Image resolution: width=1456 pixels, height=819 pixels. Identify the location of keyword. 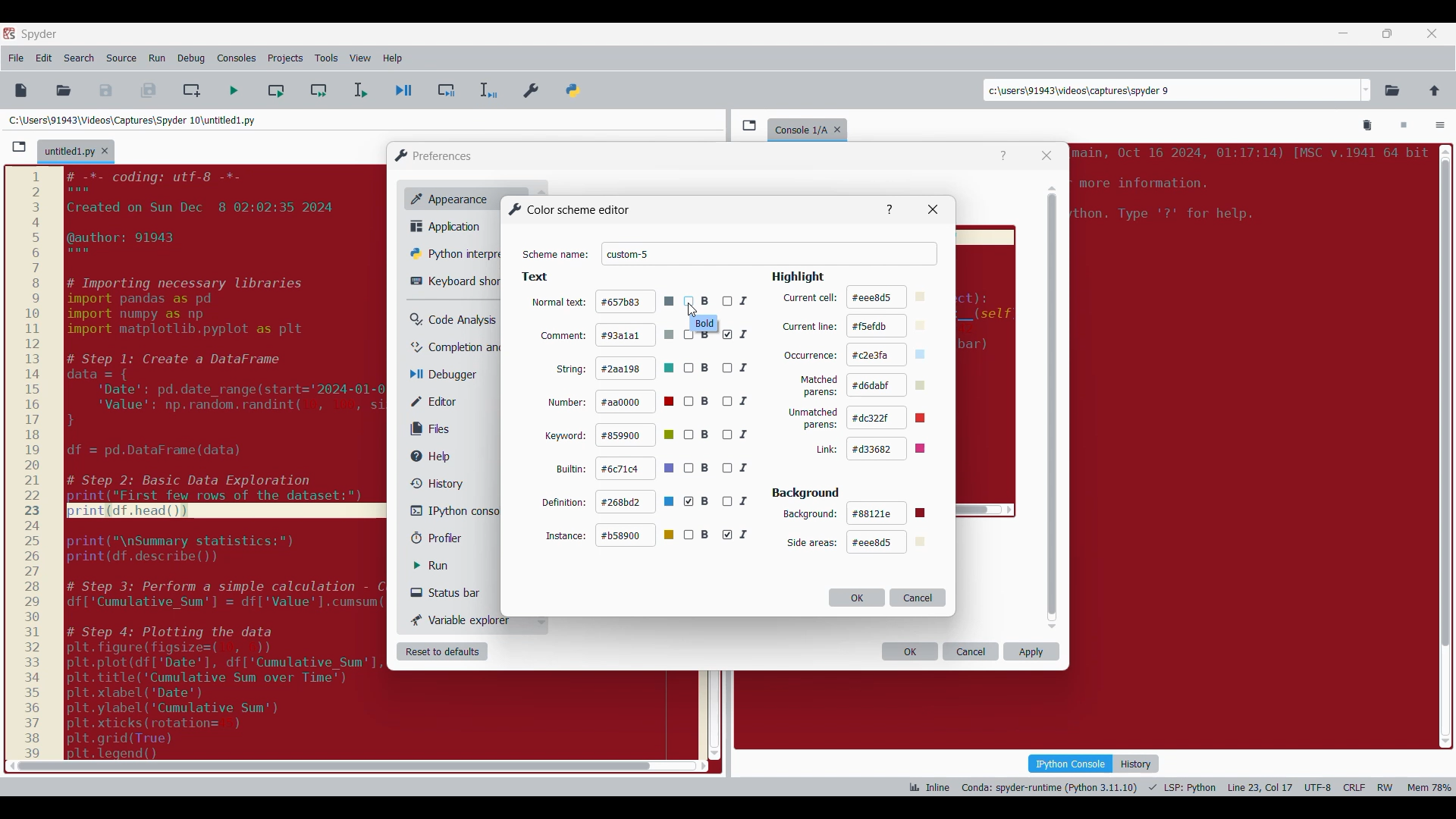
(566, 437).